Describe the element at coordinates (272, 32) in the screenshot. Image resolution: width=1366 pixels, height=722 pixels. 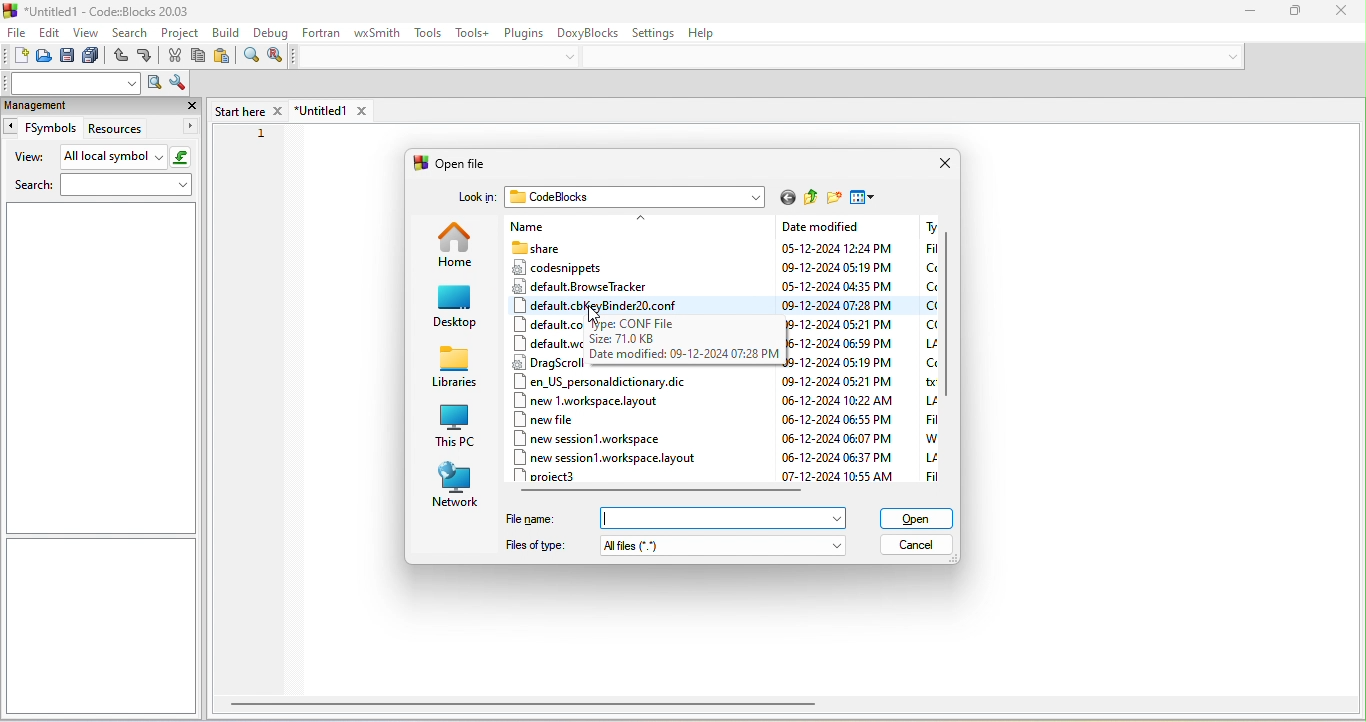
I see `debug` at that location.